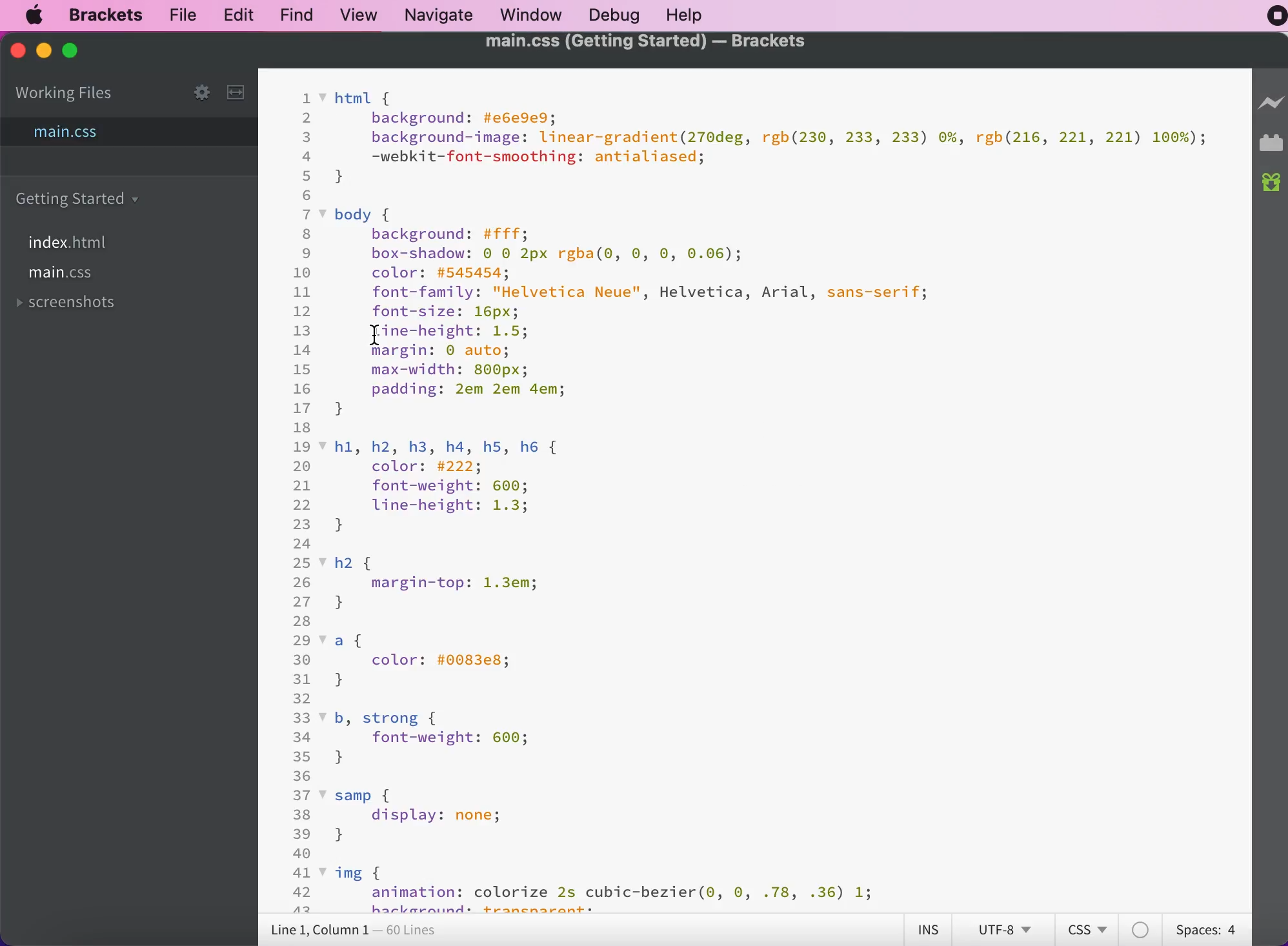 Image resolution: width=1288 pixels, height=946 pixels. I want to click on 3, so click(305, 138).